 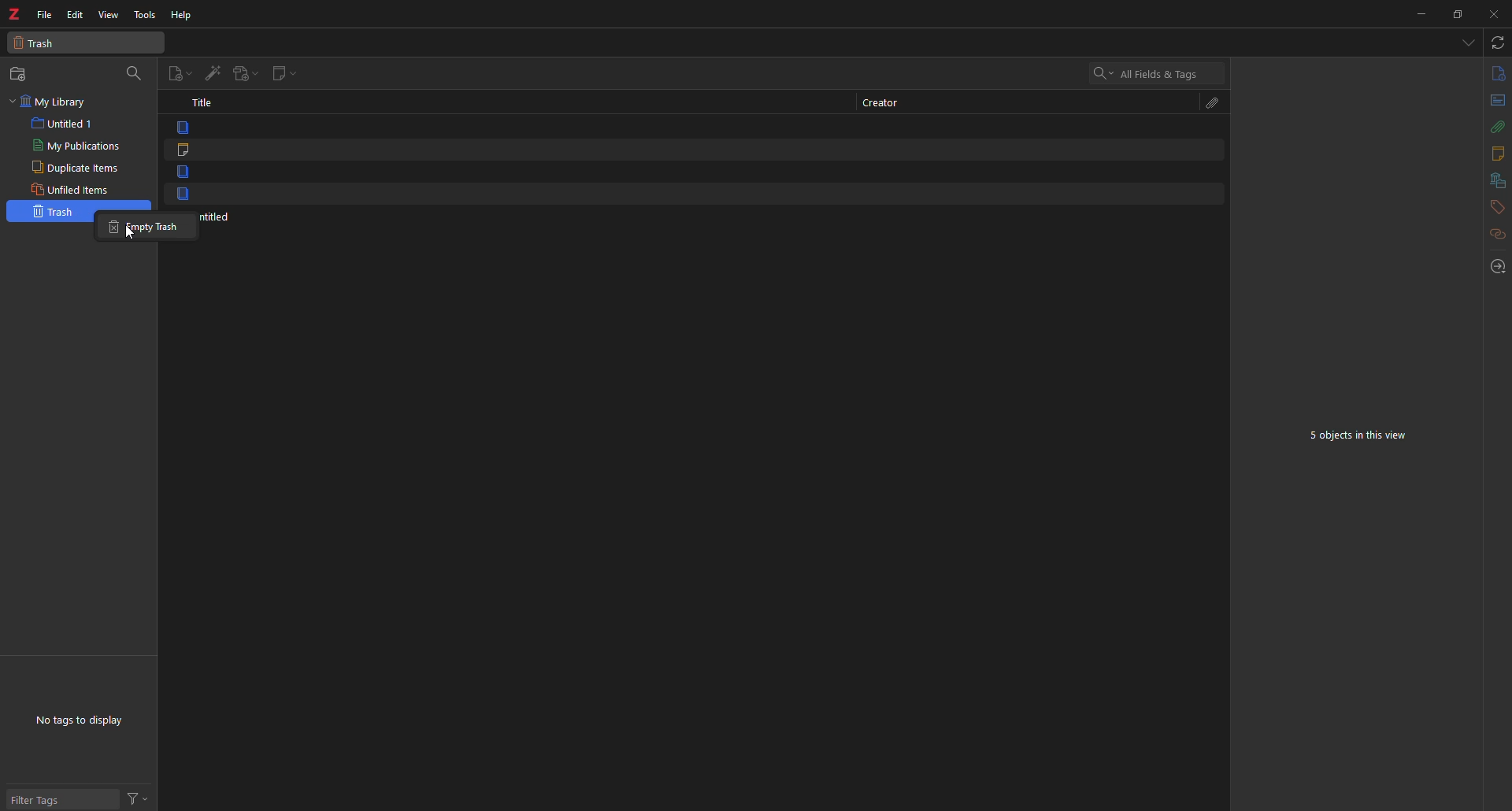 I want to click on close, so click(x=1495, y=16).